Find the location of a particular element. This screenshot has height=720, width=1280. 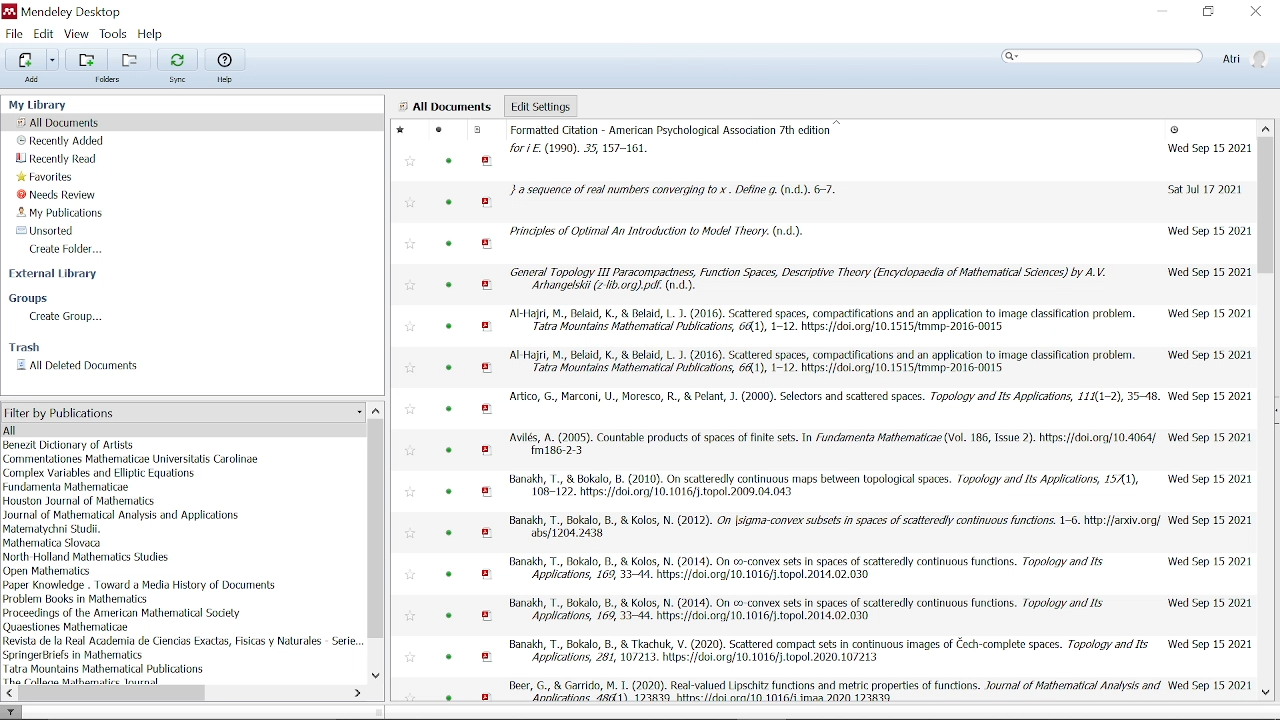

Close window is located at coordinates (1254, 12).